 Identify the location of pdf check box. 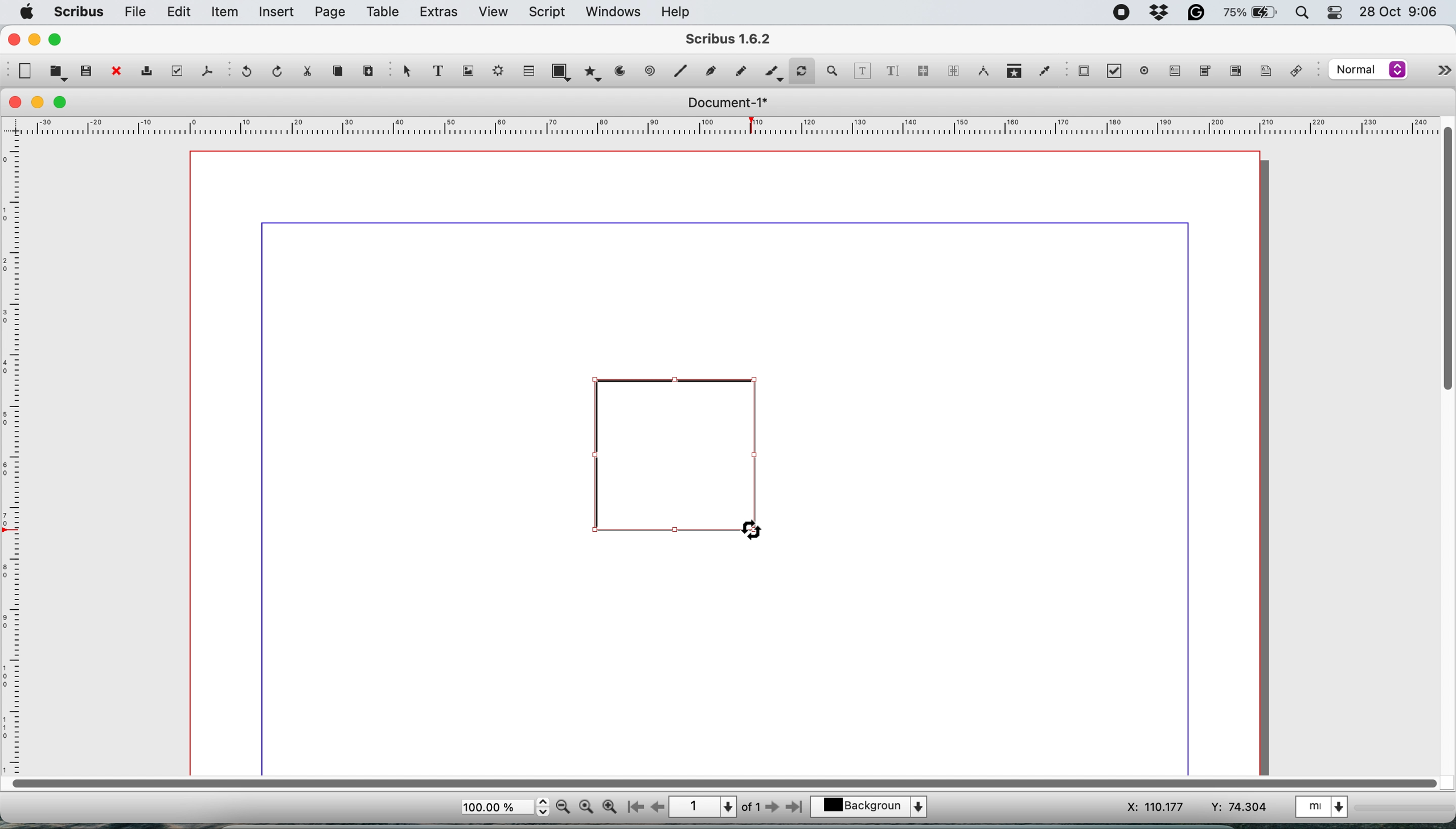
(1114, 71).